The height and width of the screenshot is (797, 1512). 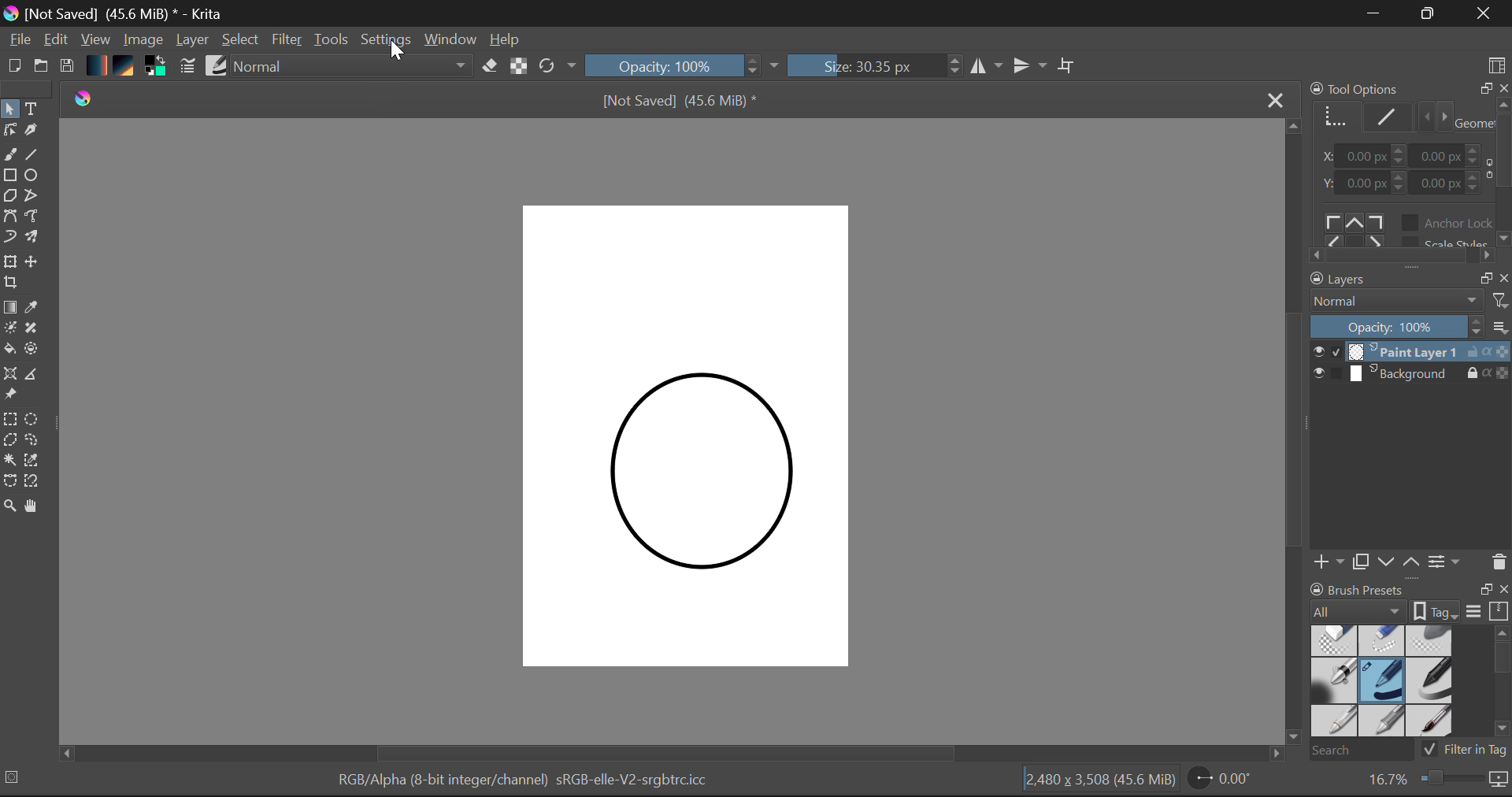 I want to click on Tool Options, so click(x=1408, y=173).